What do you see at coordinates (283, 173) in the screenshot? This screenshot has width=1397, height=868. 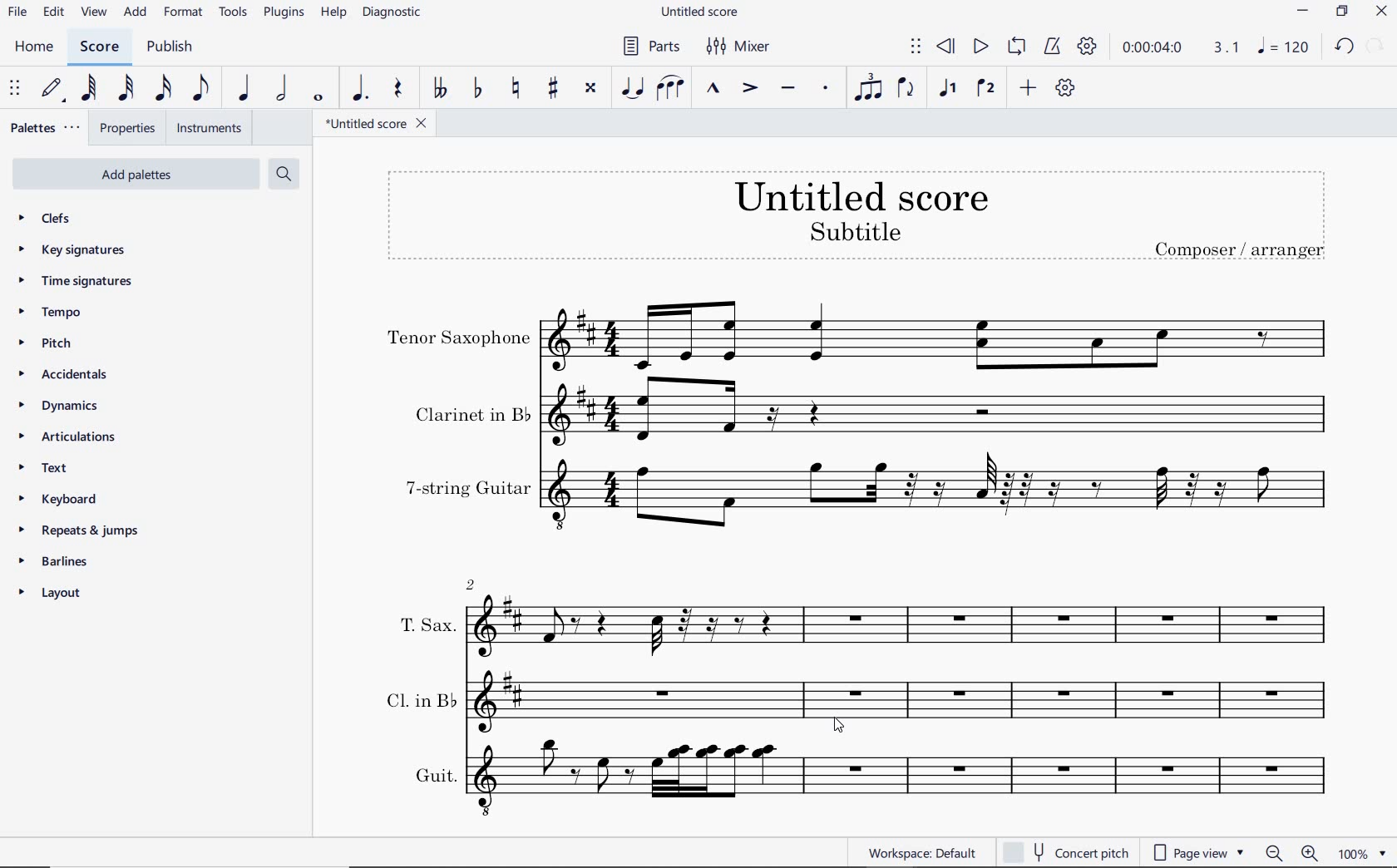 I see `search palettes` at bounding box center [283, 173].